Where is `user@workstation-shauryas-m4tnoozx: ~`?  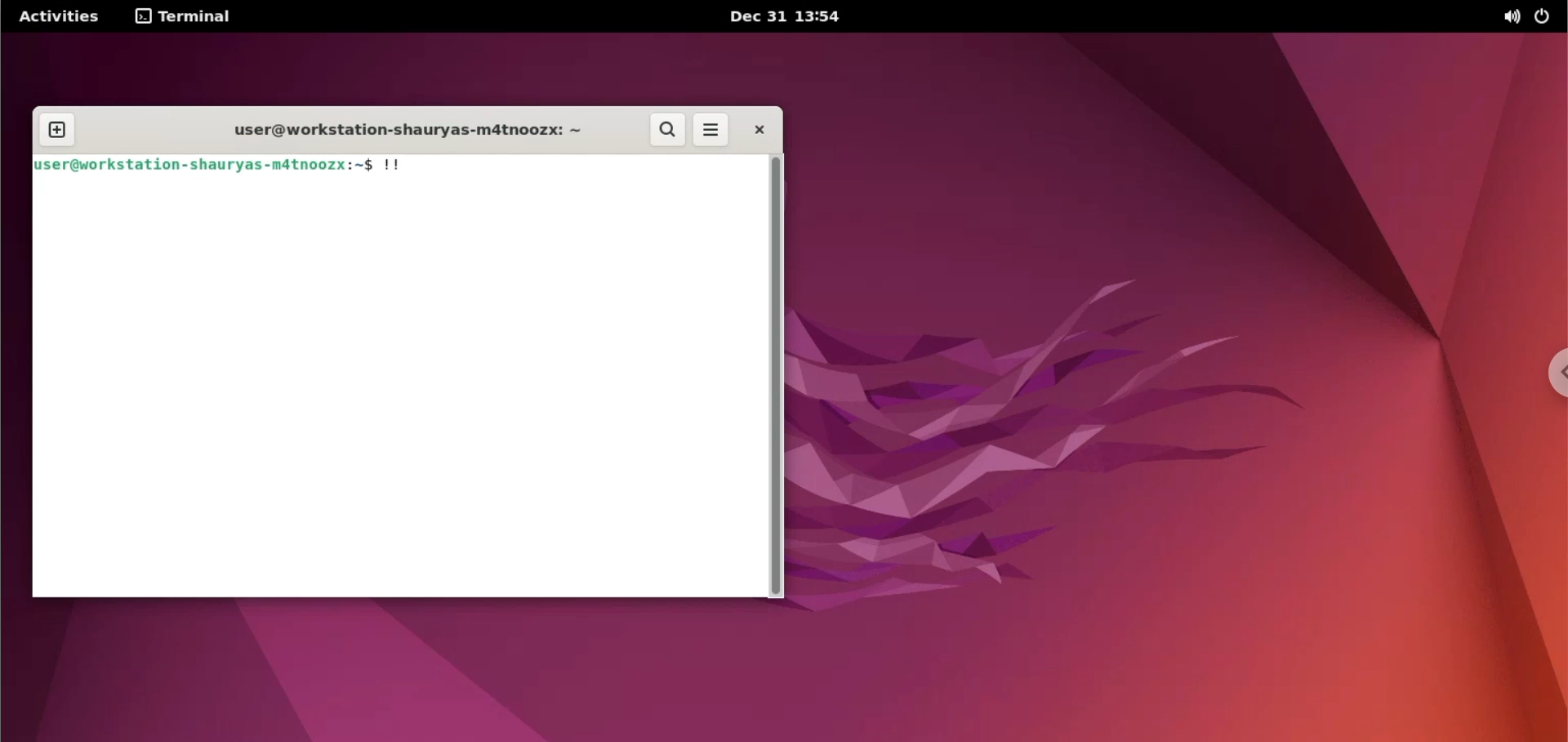 user@workstation-shauryas-m4tnoozx: ~ is located at coordinates (409, 127).